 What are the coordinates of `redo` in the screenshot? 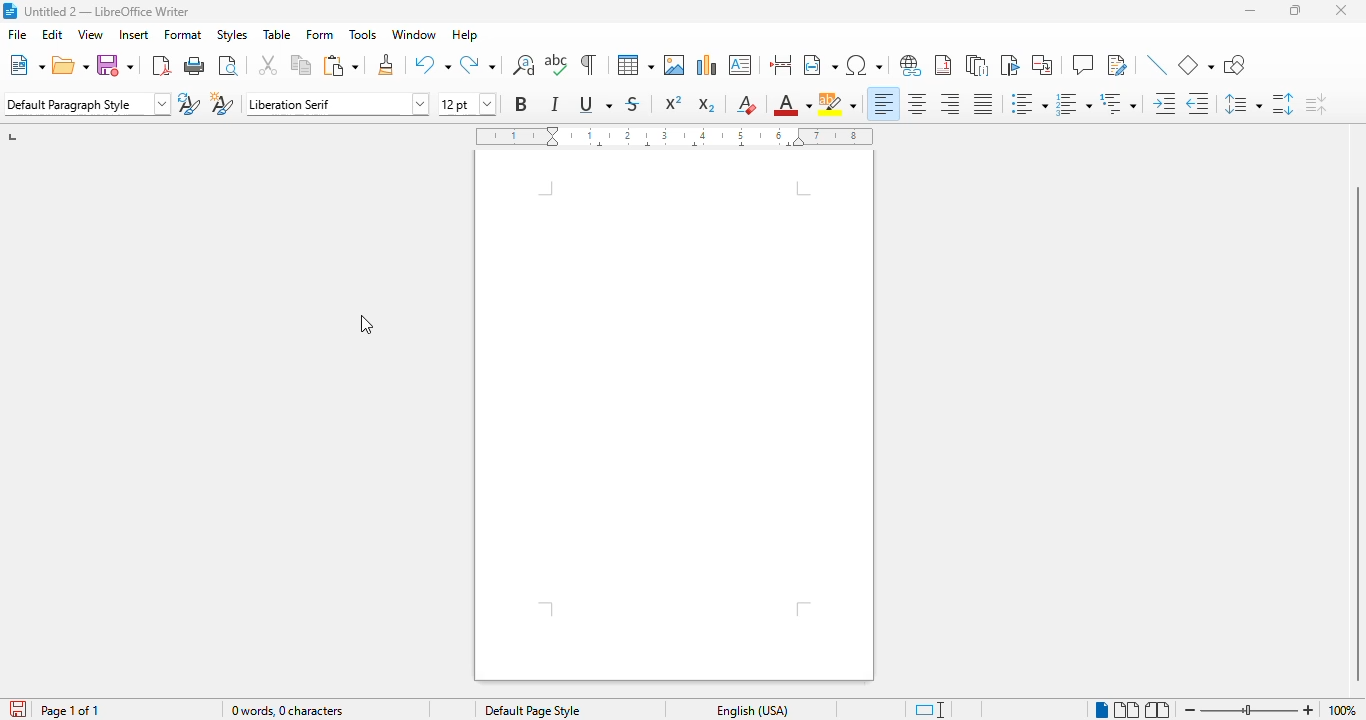 It's located at (477, 65).